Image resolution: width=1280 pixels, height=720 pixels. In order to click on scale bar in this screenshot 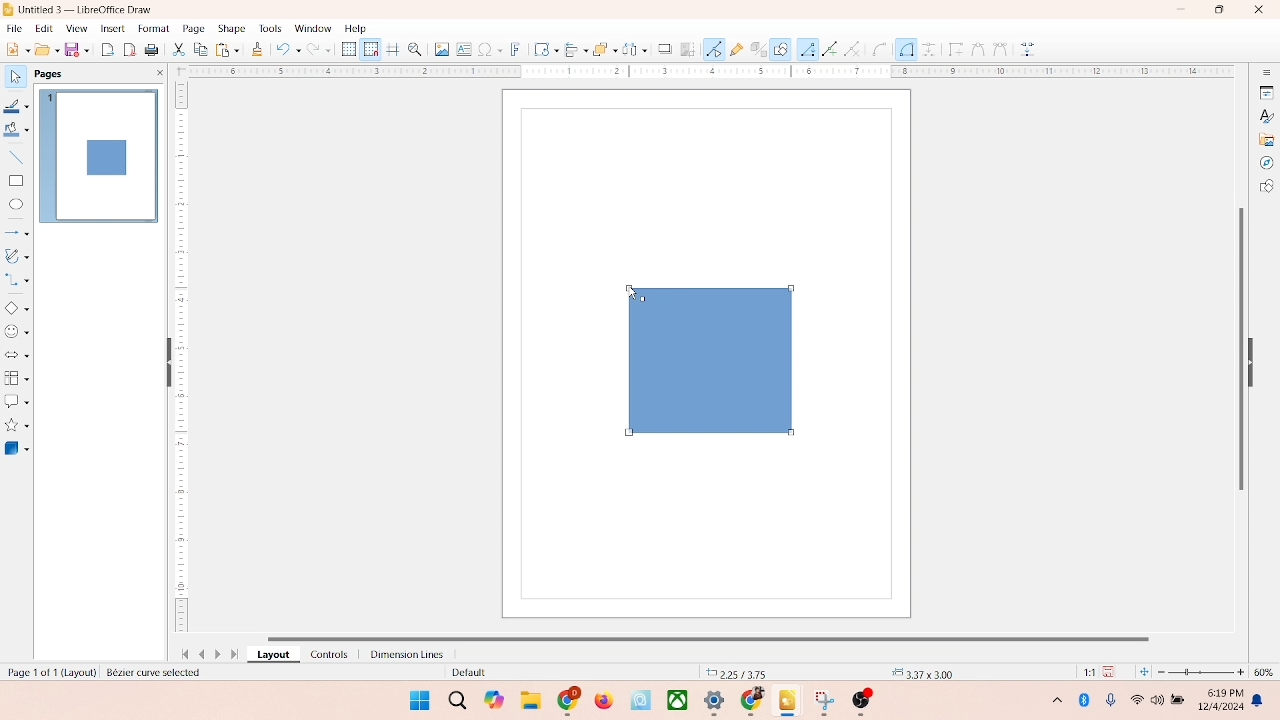, I will do `click(181, 360)`.